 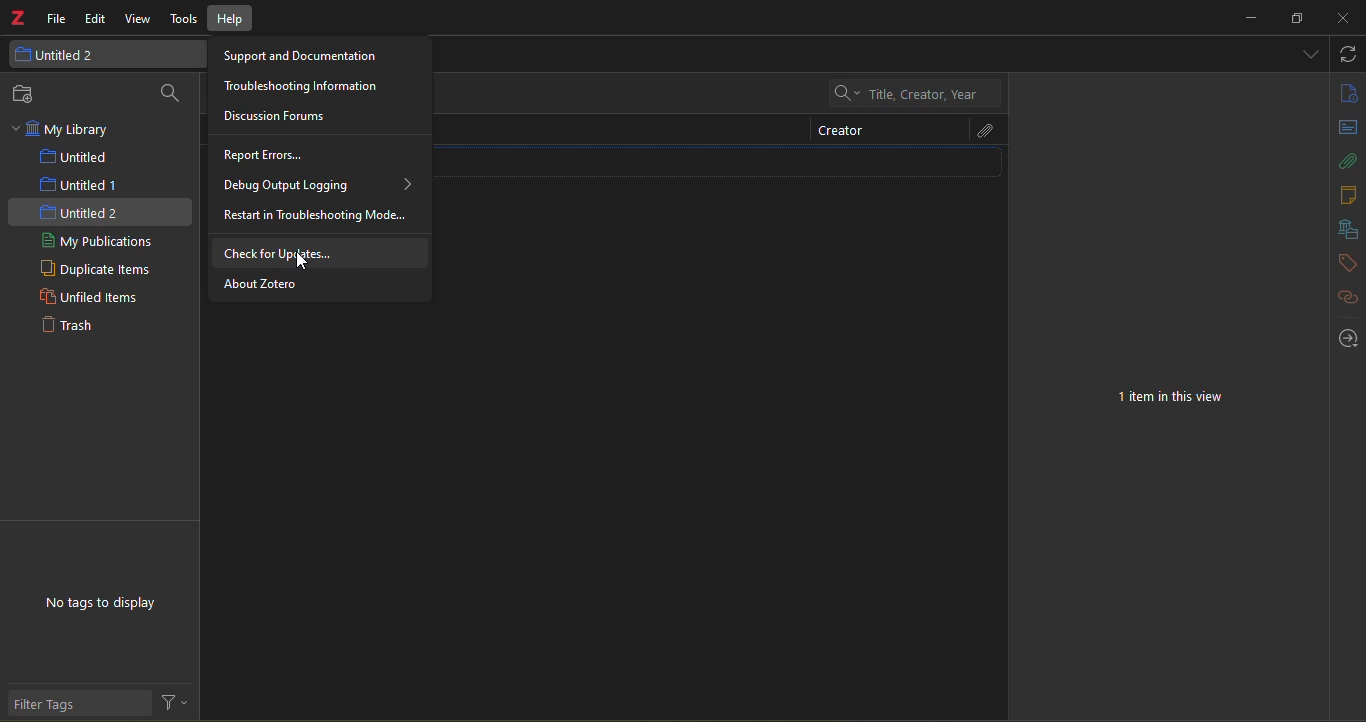 What do you see at coordinates (1345, 263) in the screenshot?
I see `tags` at bounding box center [1345, 263].